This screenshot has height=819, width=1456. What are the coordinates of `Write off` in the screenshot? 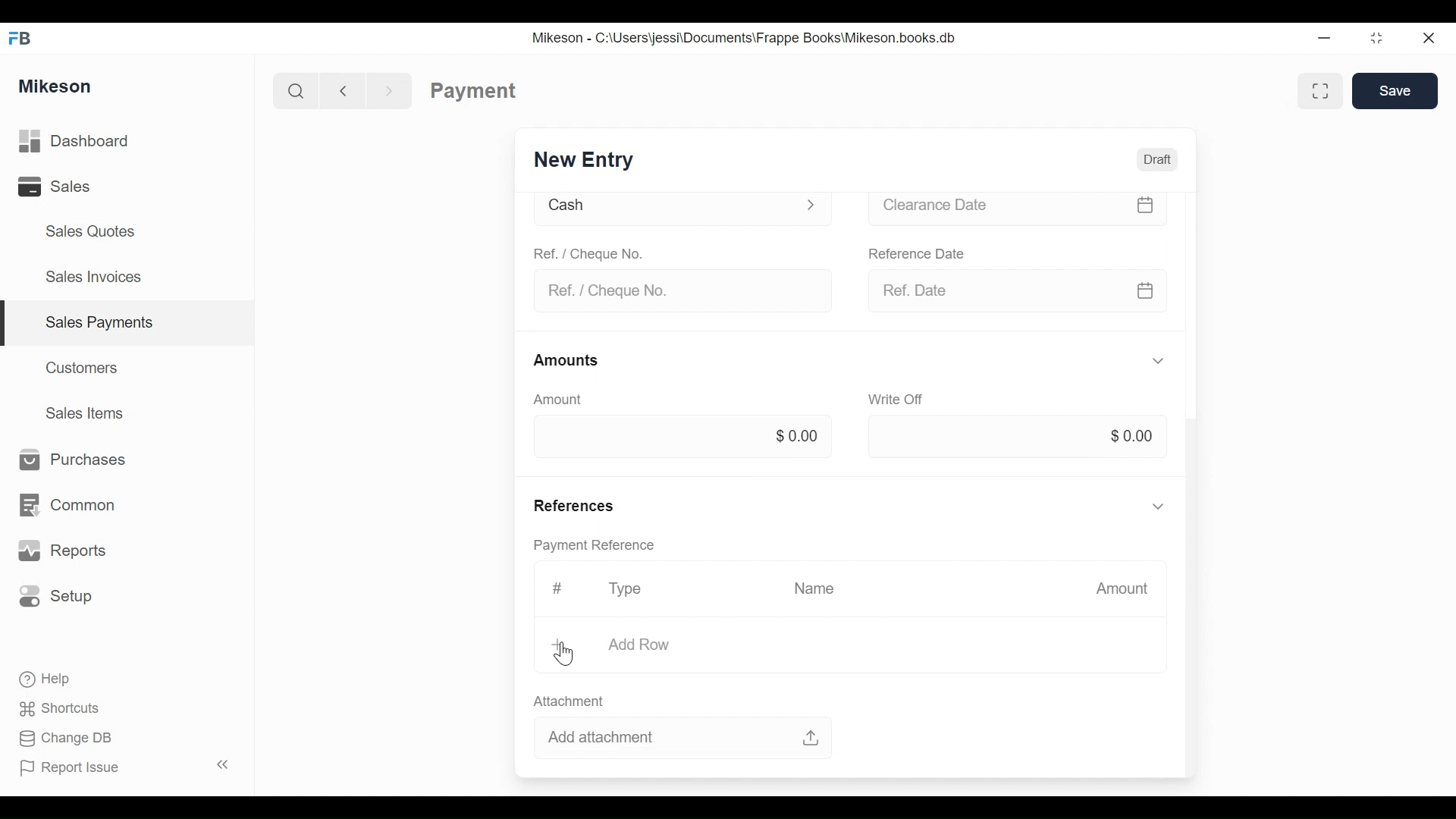 It's located at (898, 401).